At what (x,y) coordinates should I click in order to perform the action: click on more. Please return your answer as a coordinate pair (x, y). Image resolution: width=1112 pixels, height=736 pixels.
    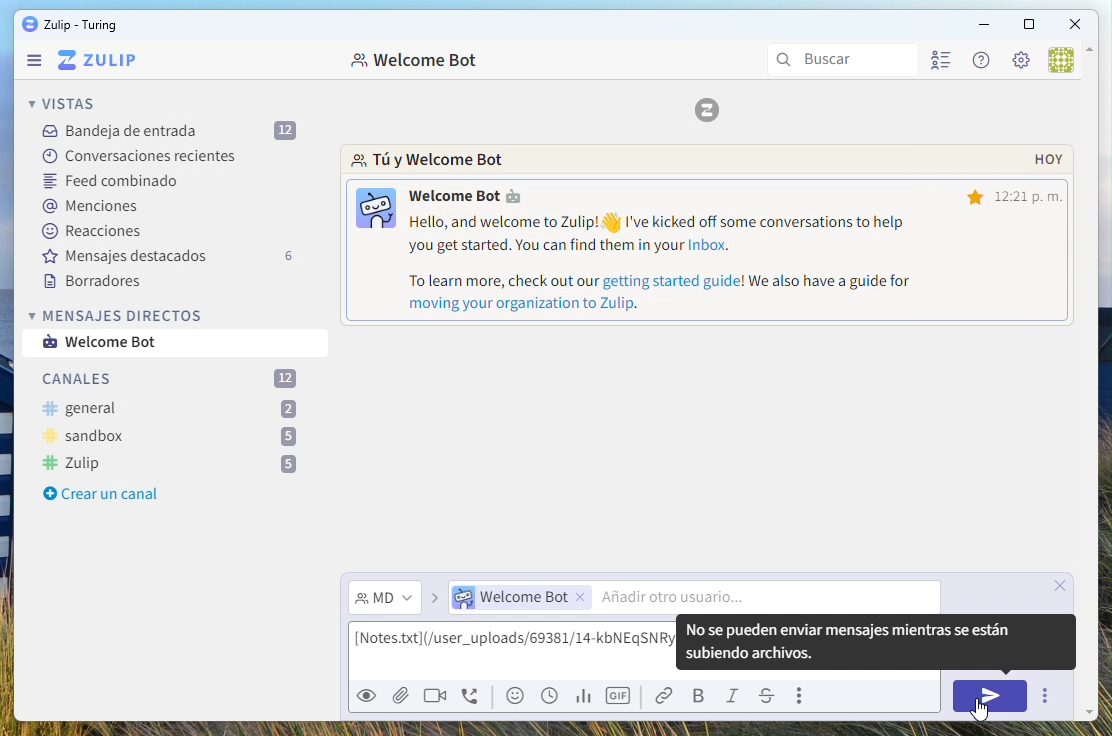
    Looking at the image, I should click on (803, 696).